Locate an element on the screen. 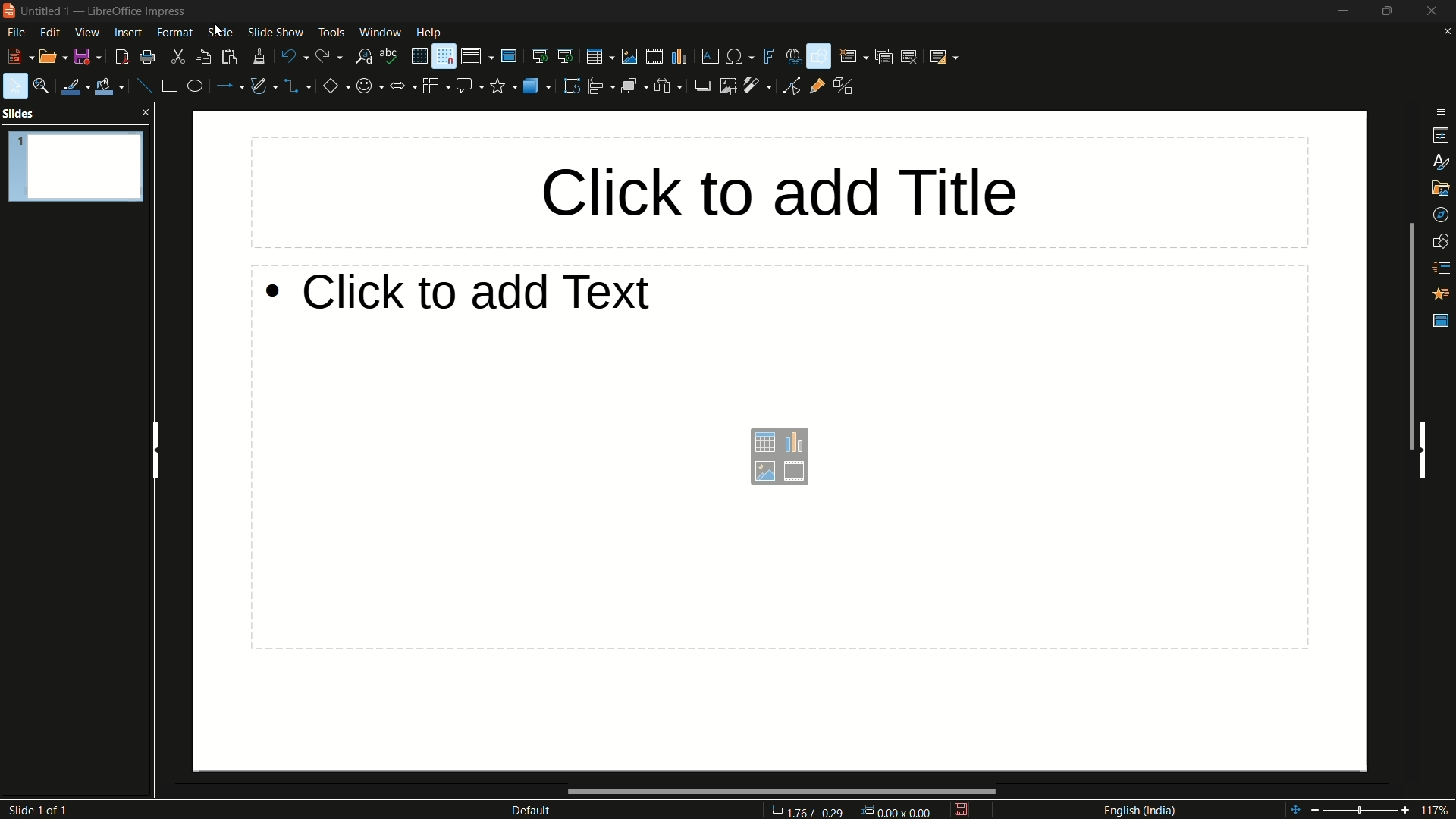 The height and width of the screenshot is (819, 1456). shift is located at coordinates (1295, 811).